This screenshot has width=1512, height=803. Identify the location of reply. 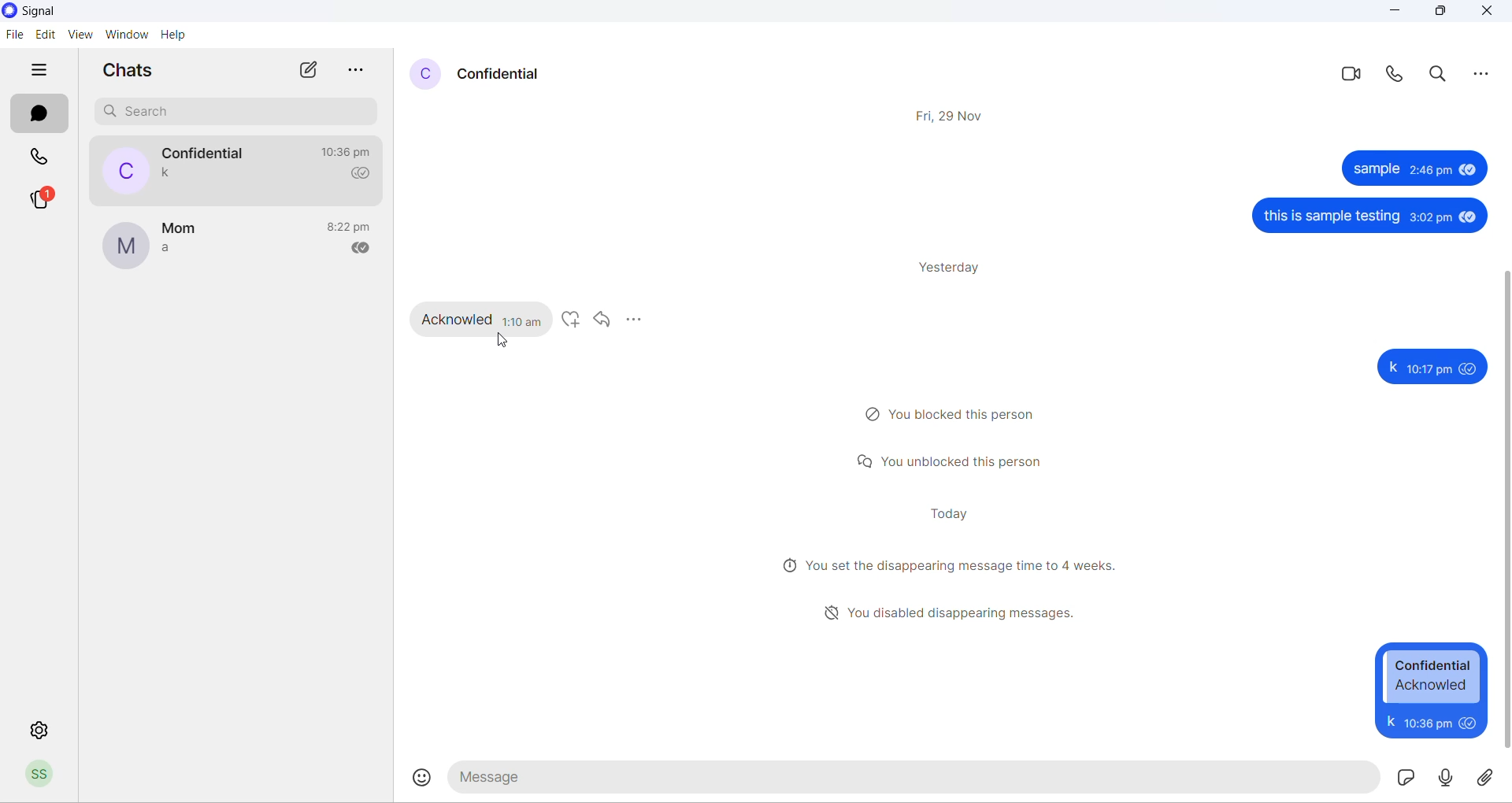
(601, 320).